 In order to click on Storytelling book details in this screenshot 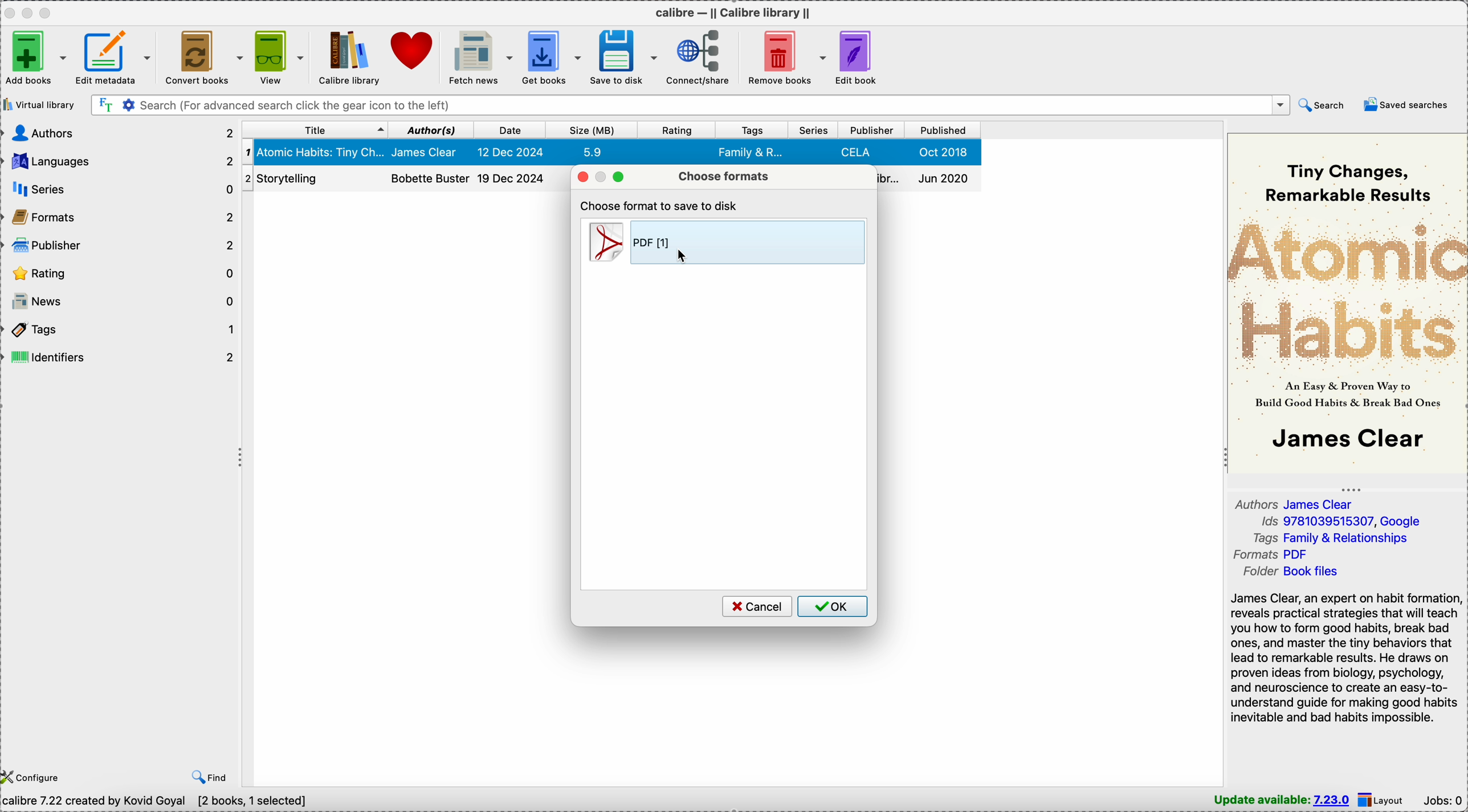, I will do `click(405, 179)`.